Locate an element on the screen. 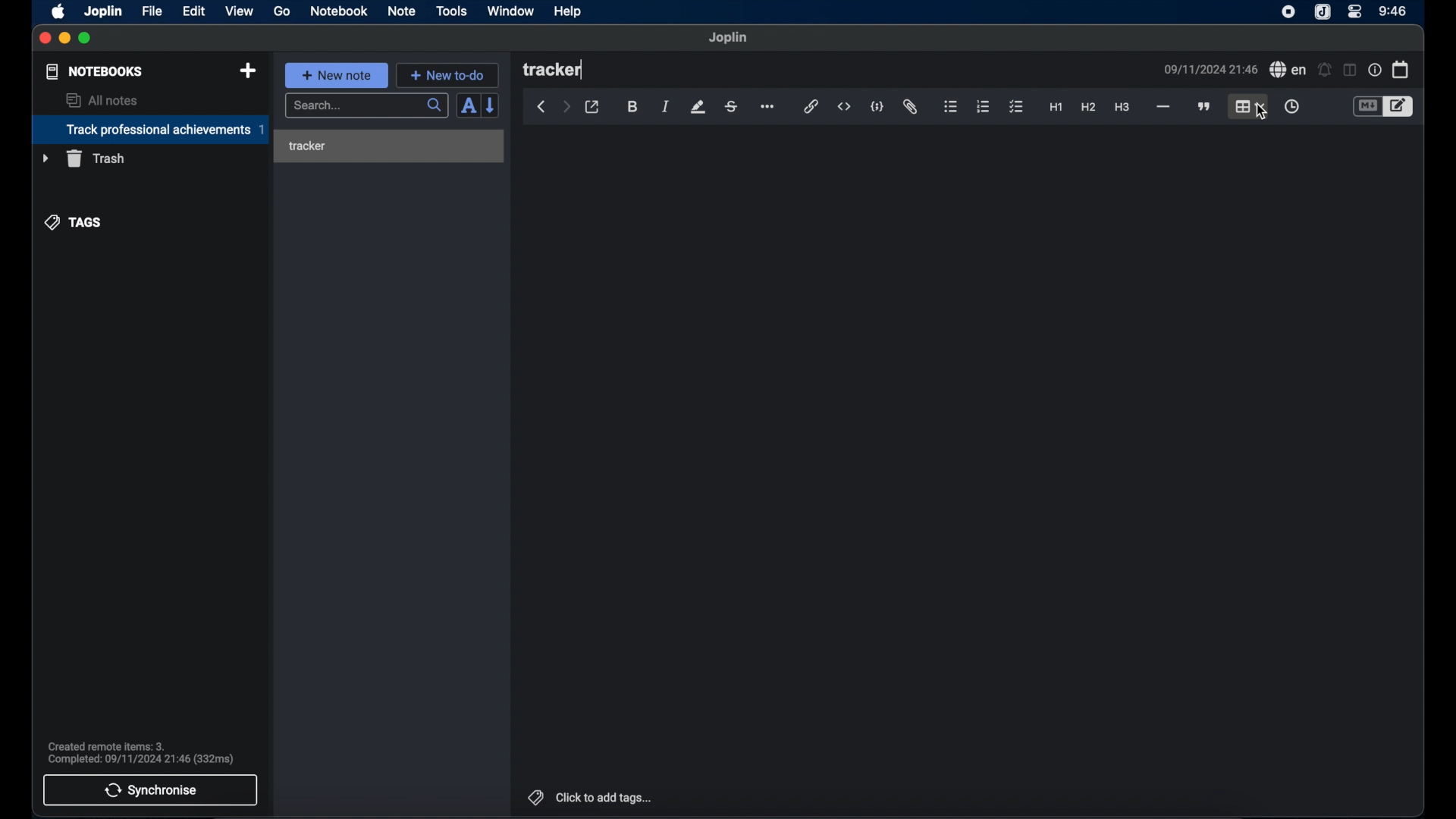 The image size is (1456, 819). joplin is located at coordinates (104, 11).